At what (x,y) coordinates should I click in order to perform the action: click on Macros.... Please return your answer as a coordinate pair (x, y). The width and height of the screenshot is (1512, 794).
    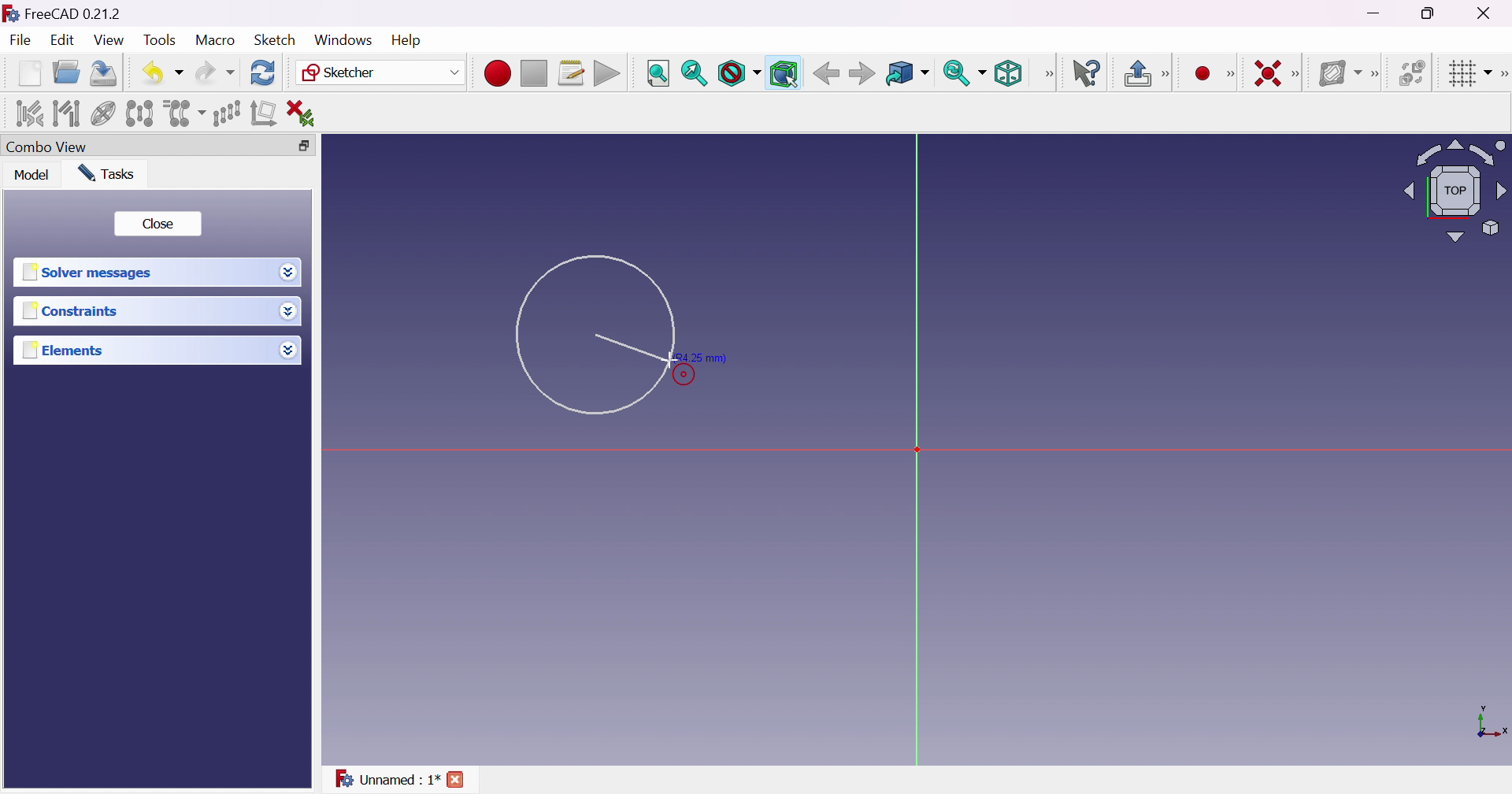
    Looking at the image, I should click on (572, 72).